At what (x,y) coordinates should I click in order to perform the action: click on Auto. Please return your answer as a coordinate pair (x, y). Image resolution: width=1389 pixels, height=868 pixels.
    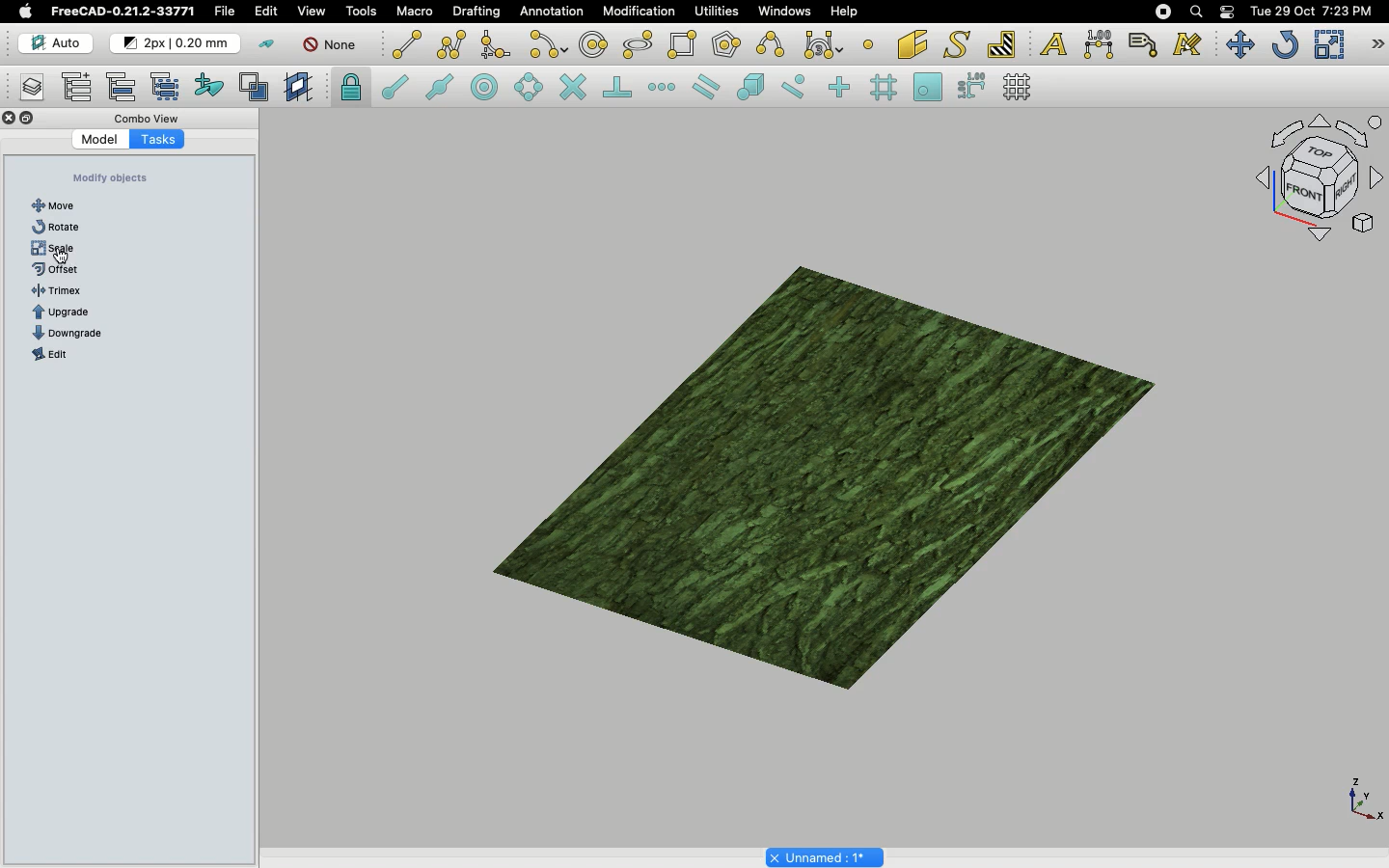
    Looking at the image, I should click on (49, 42).